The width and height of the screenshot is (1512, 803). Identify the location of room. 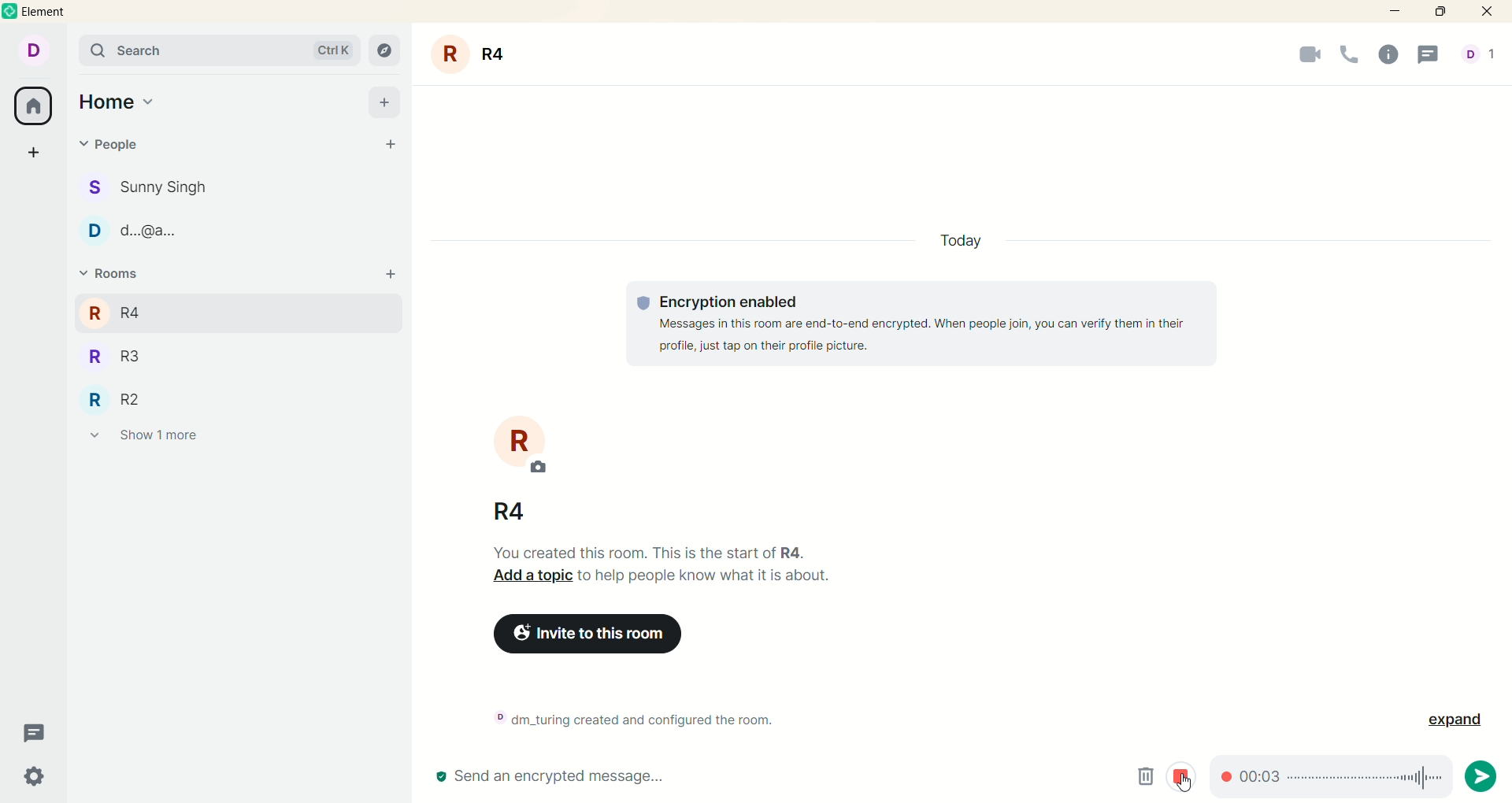
(522, 443).